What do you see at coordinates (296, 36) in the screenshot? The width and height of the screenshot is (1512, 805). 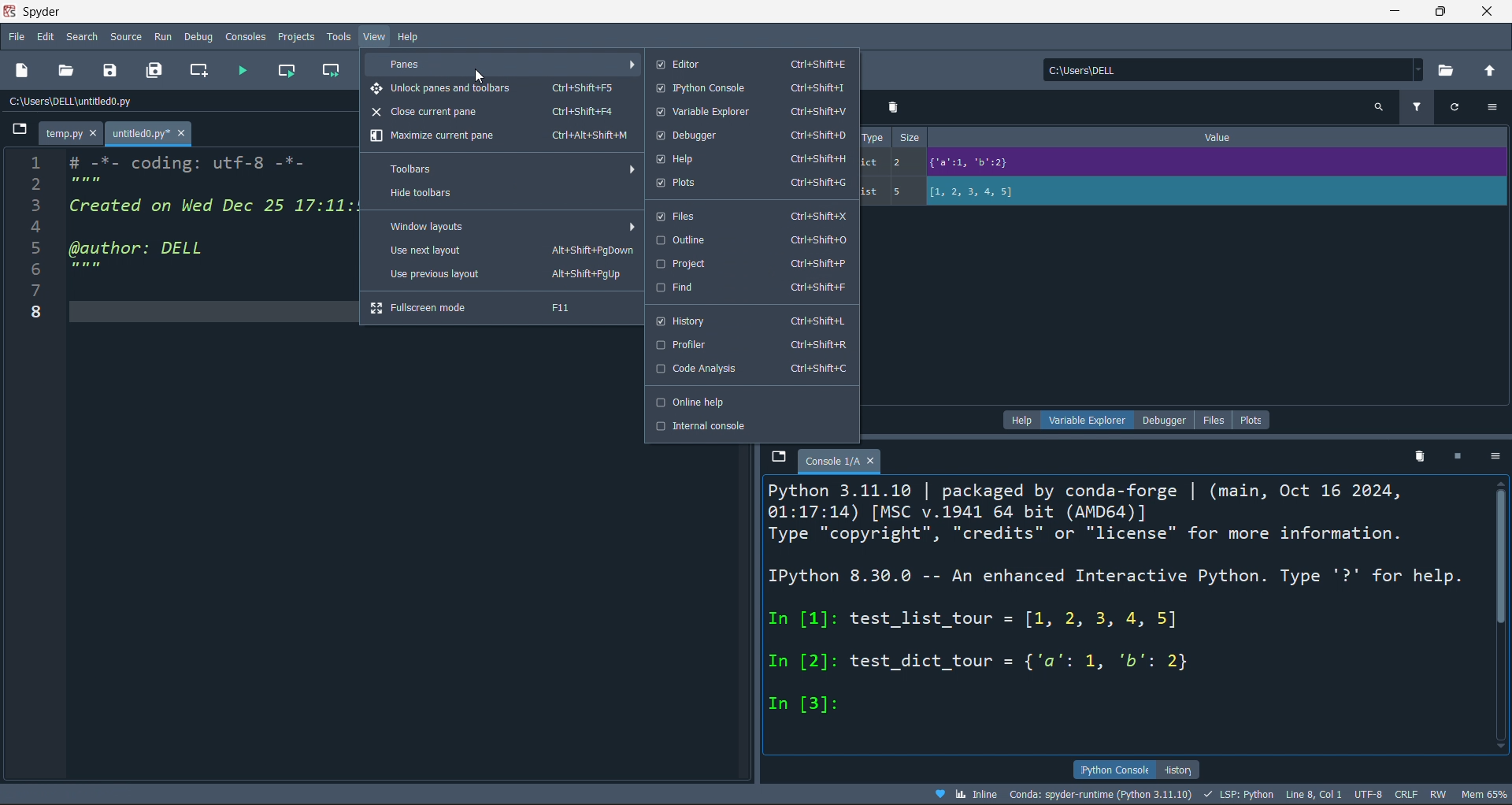 I see `projects` at bounding box center [296, 36].